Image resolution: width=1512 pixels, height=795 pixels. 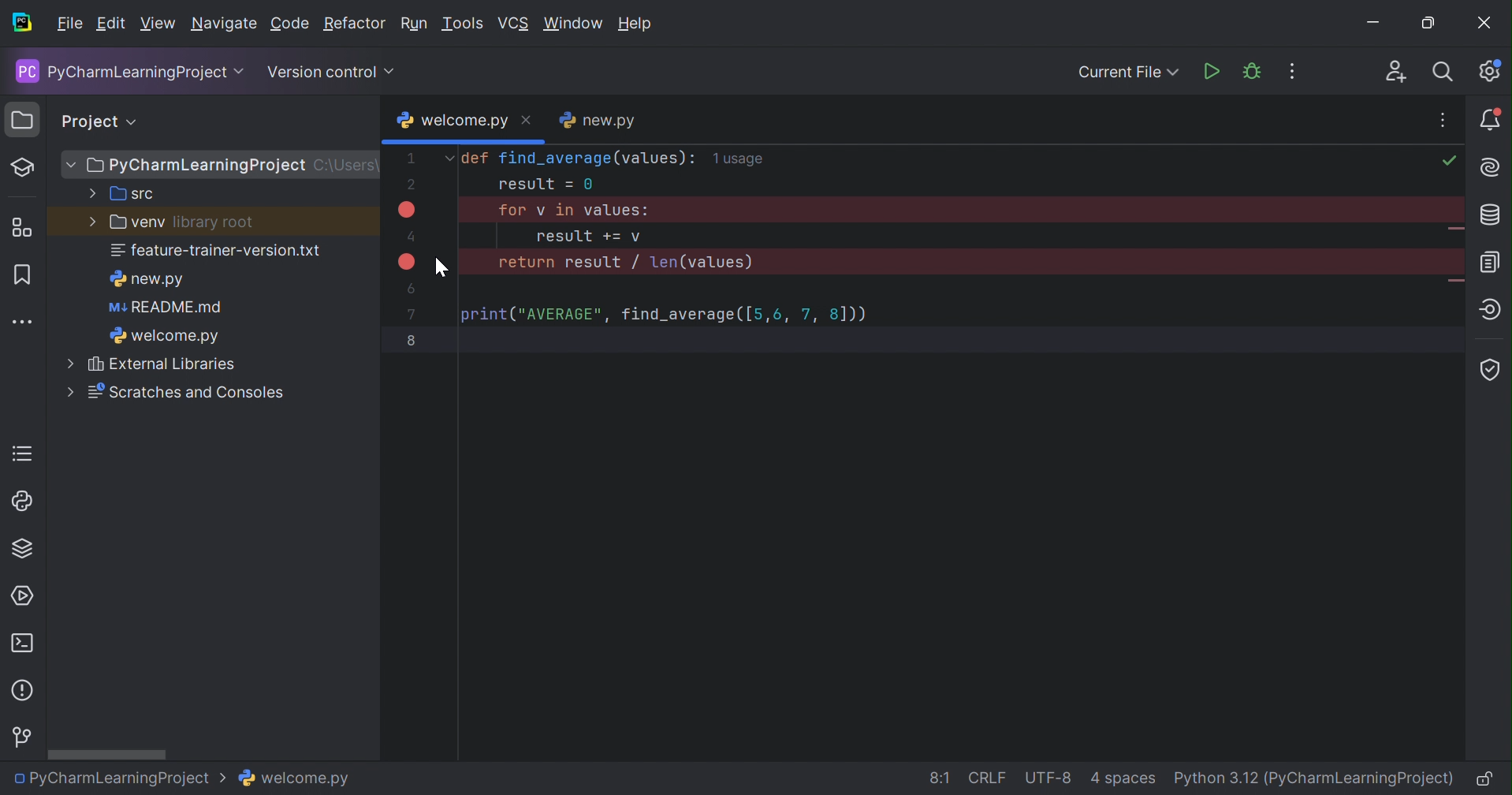 I want to click on More tool windows, so click(x=24, y=323).